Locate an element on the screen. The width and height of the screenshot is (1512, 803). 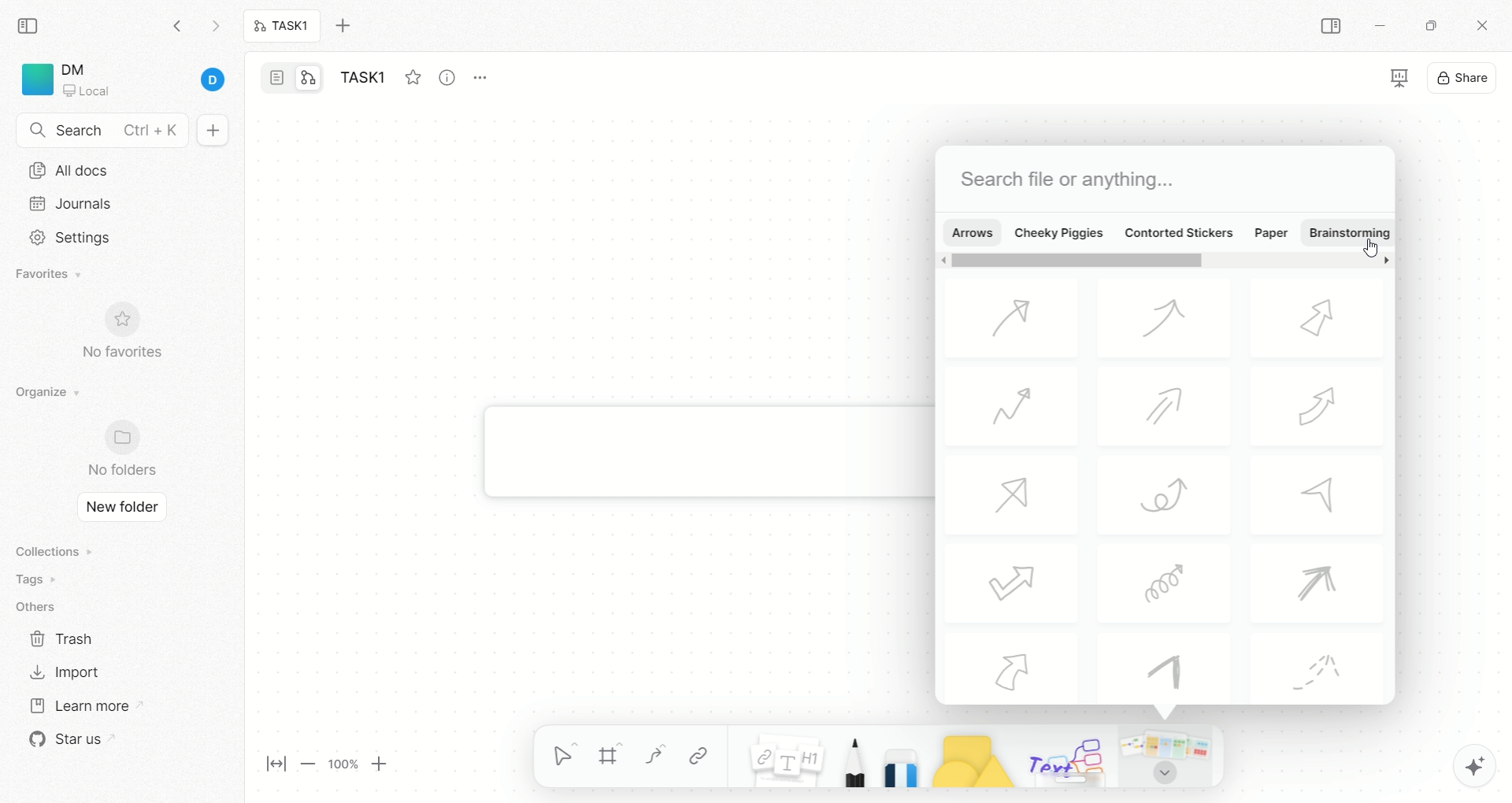
selection is located at coordinates (565, 758).